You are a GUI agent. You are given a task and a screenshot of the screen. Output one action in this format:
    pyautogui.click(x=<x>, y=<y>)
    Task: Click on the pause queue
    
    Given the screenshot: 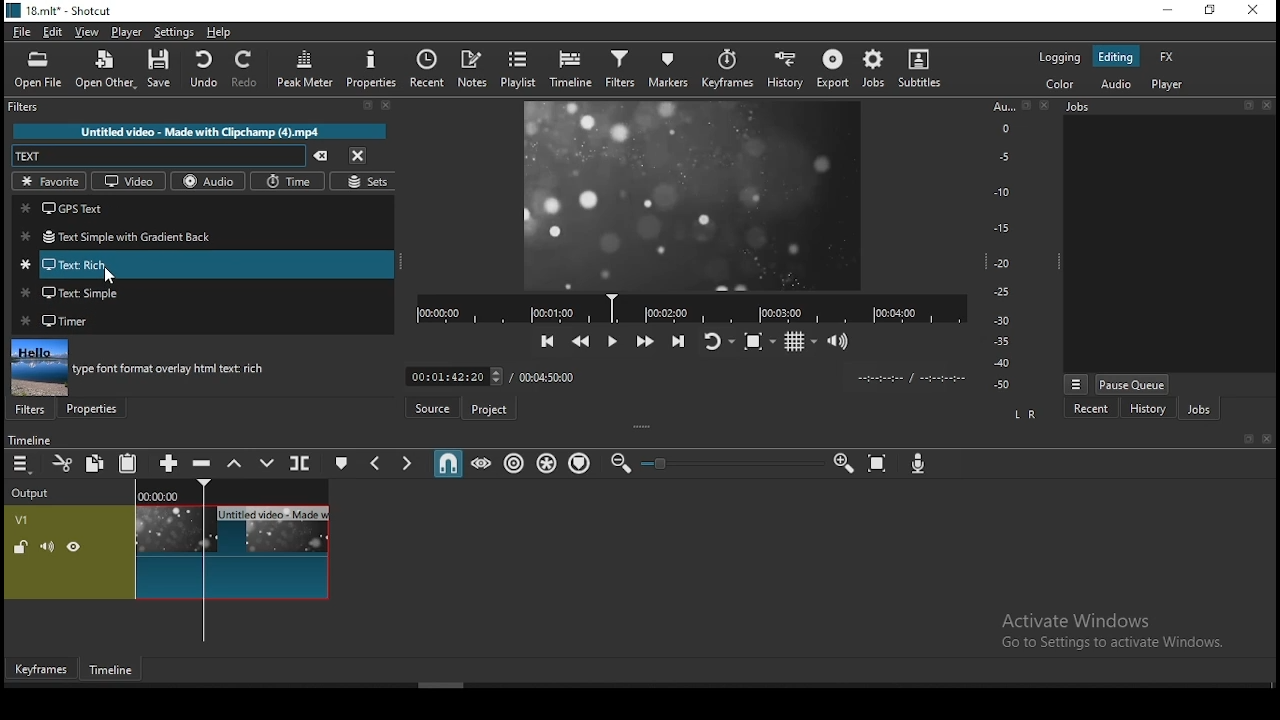 What is the action you would take?
    pyautogui.click(x=1133, y=384)
    